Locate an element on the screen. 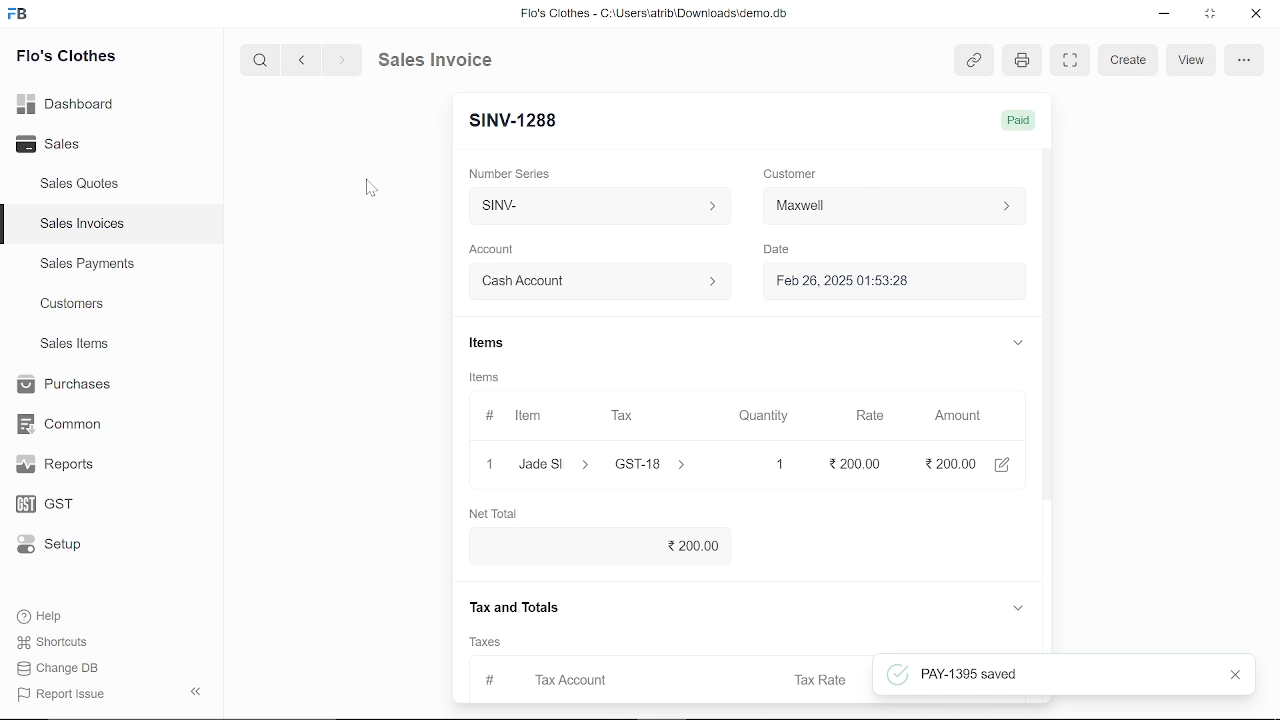  GST is located at coordinates (62, 505).